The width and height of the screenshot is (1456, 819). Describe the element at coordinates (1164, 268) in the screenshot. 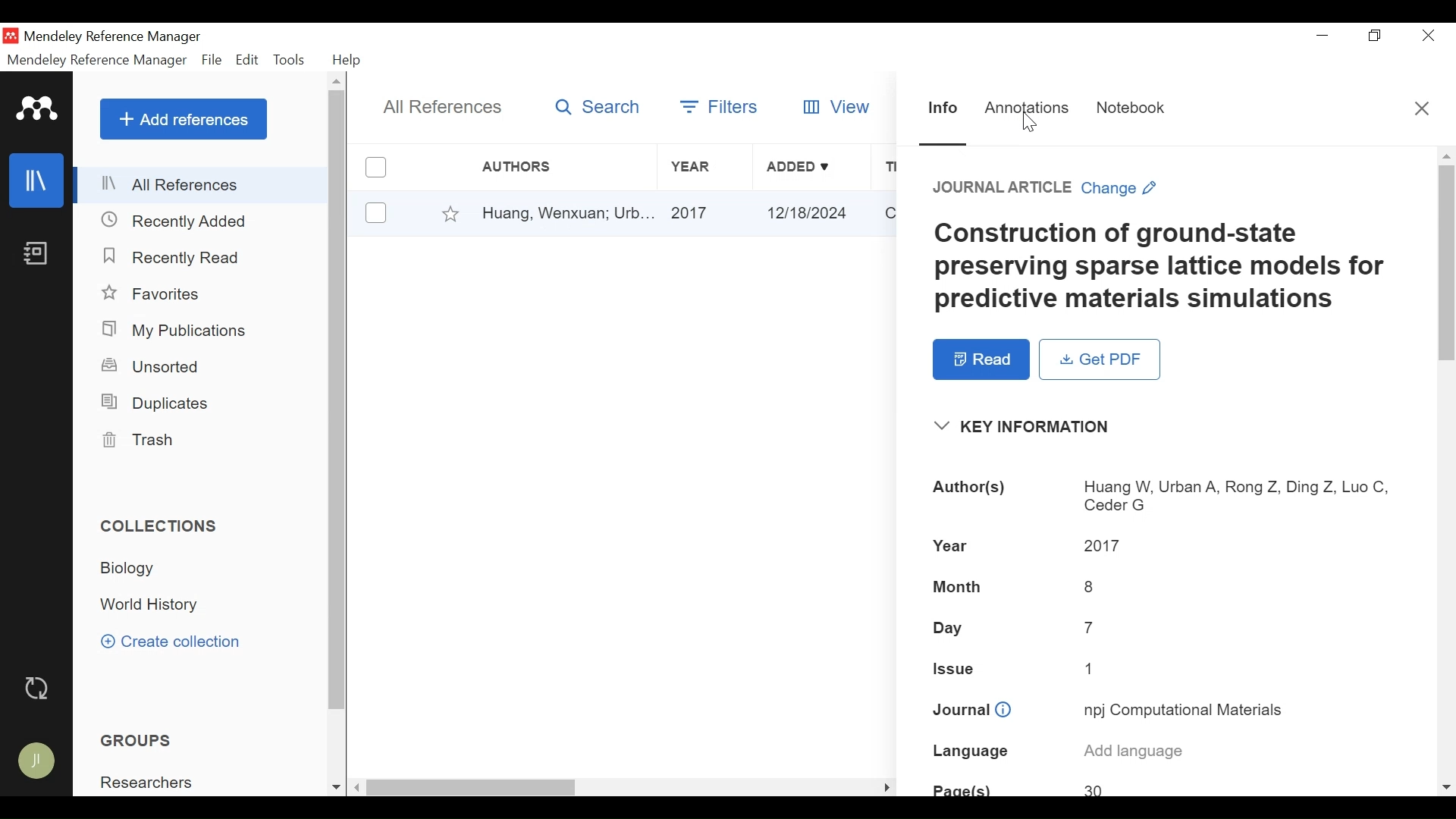

I see `construction of ground-state preserving sparse lattice models for predictive materials simulations` at that location.